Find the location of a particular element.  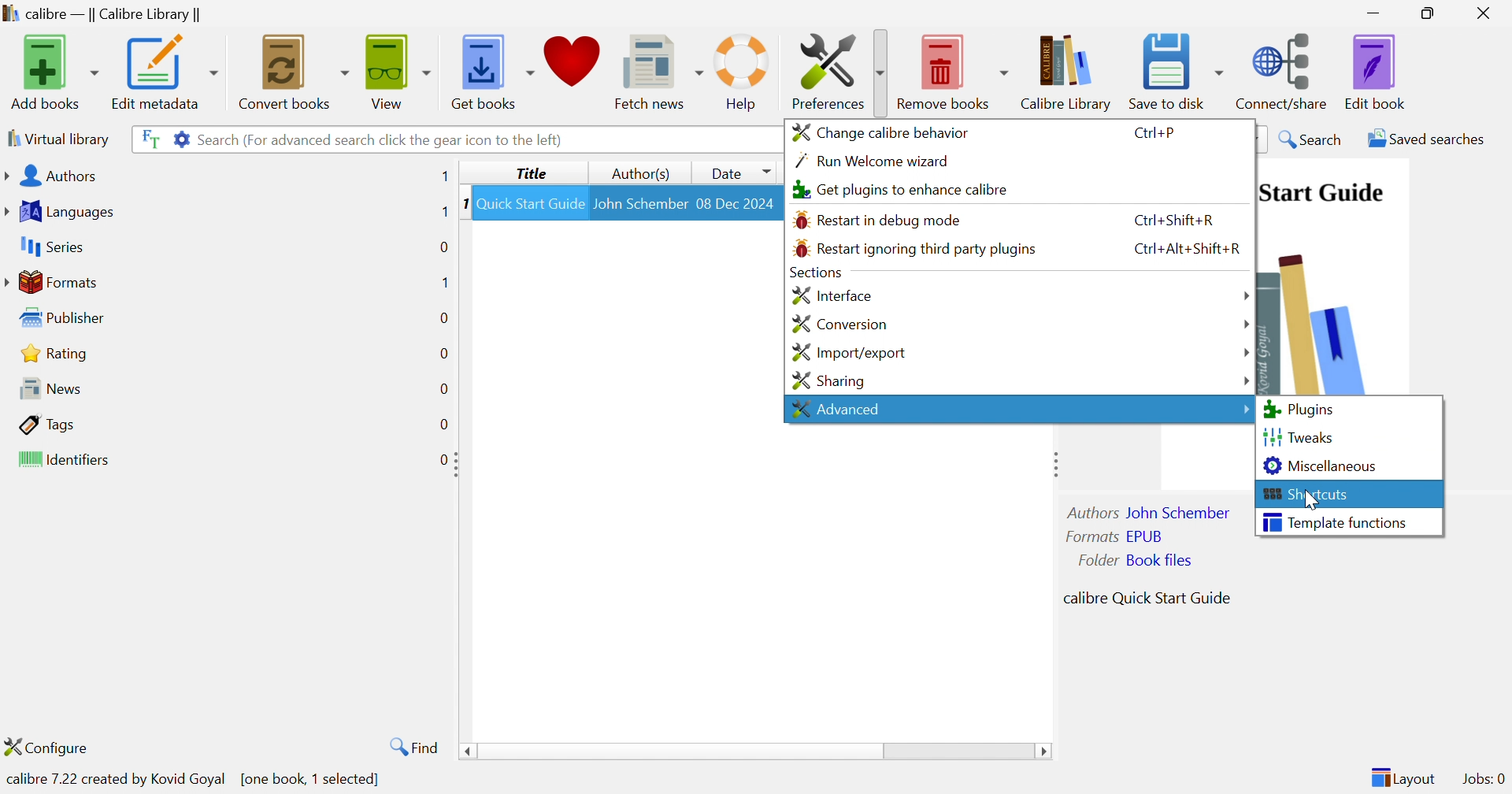

0 is located at coordinates (443, 317).